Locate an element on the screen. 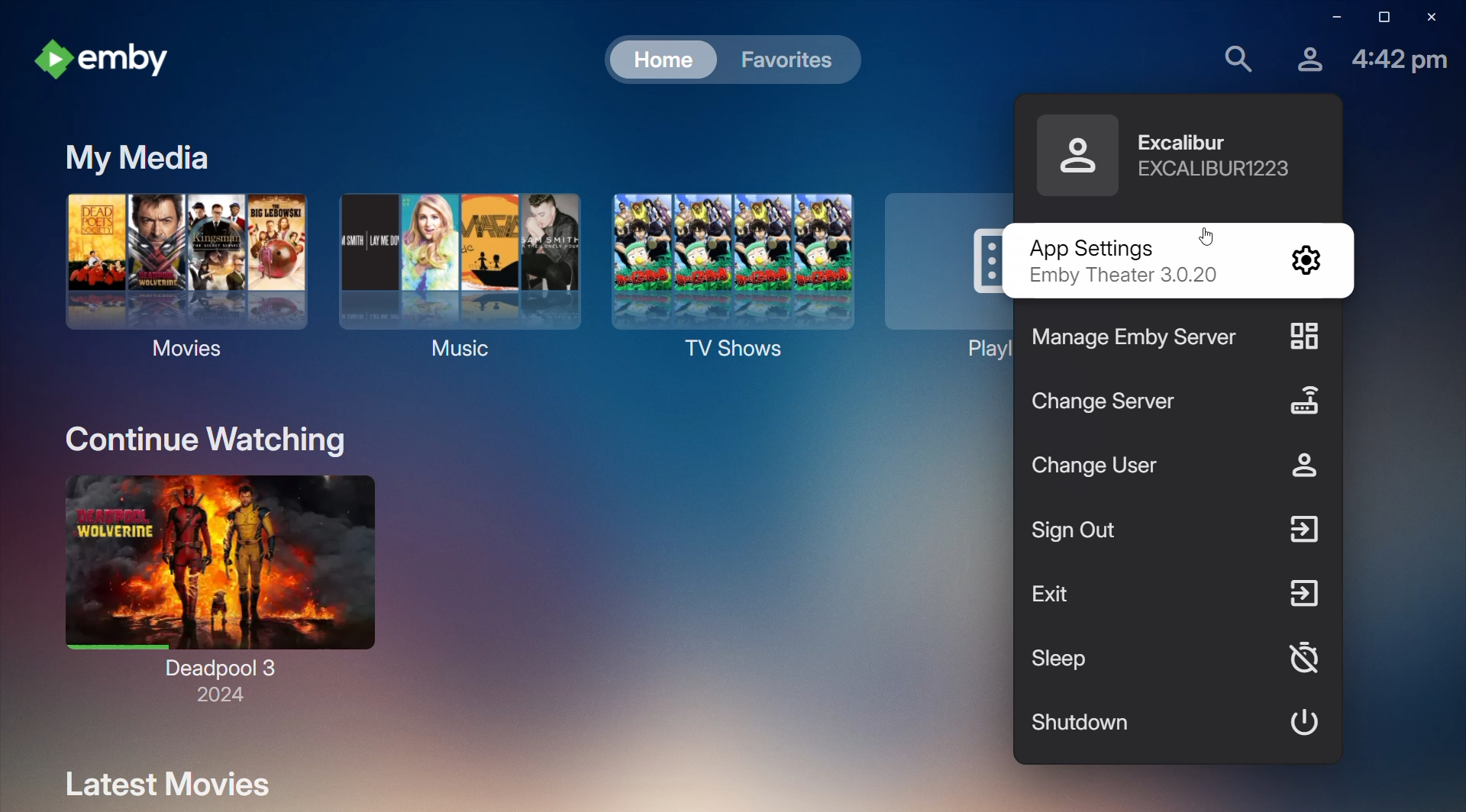  Excalibur EXCALIBUR1223 is located at coordinates (1222, 156).